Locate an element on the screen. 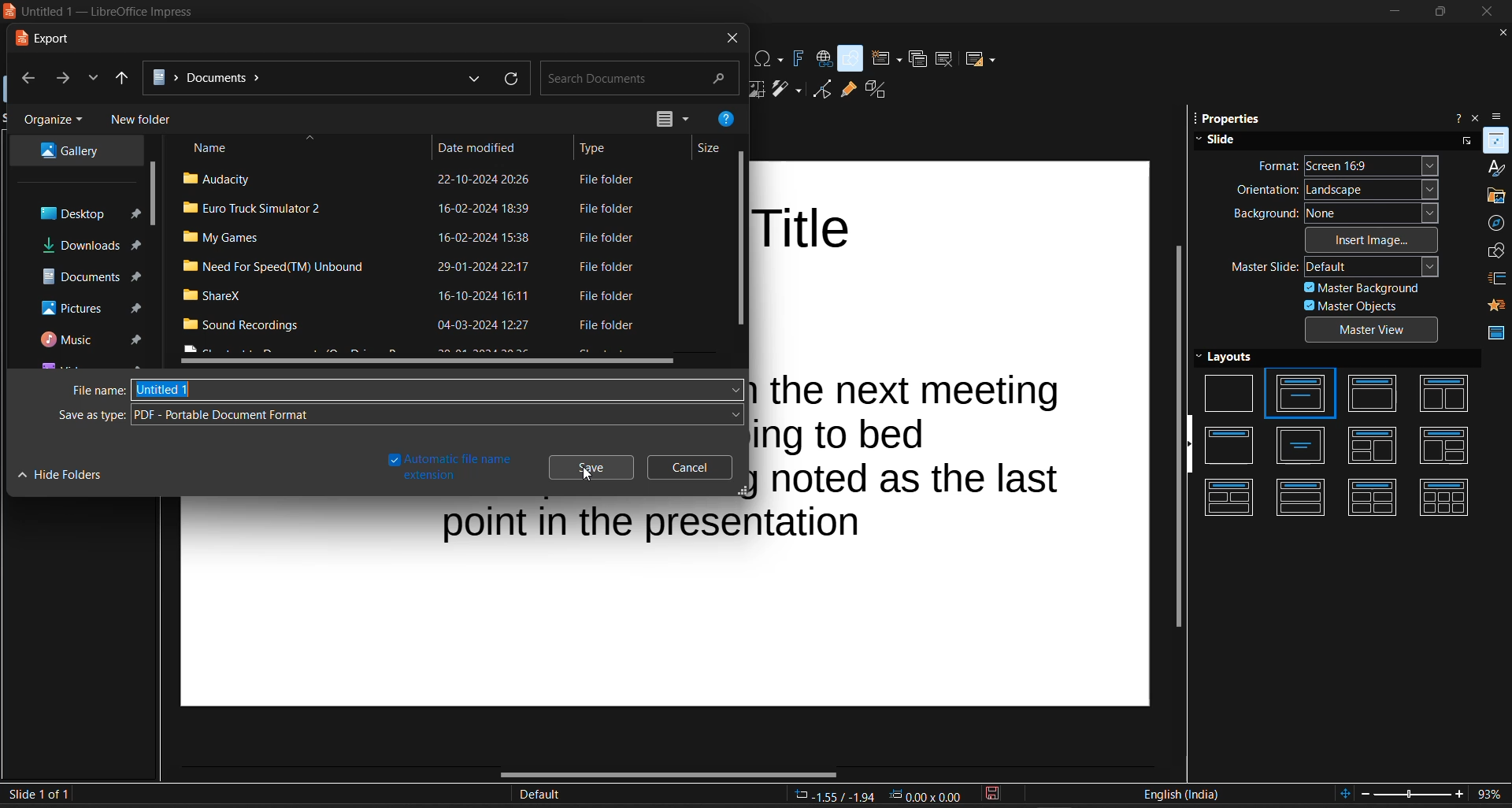 This screenshot has width=1512, height=808. name is located at coordinates (247, 147).